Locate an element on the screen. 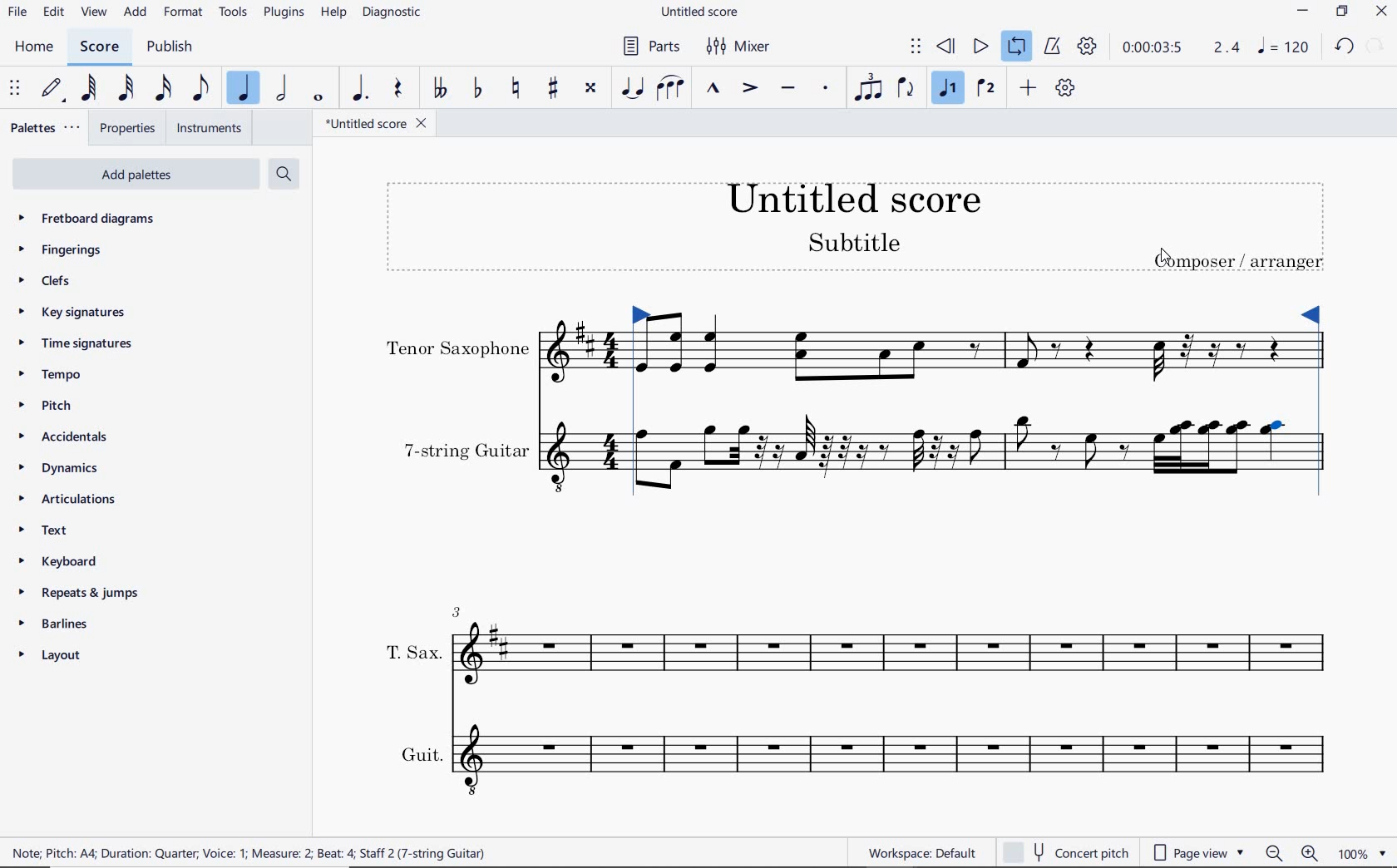 Image resolution: width=1397 pixels, height=868 pixels. FORMAT is located at coordinates (185, 12).